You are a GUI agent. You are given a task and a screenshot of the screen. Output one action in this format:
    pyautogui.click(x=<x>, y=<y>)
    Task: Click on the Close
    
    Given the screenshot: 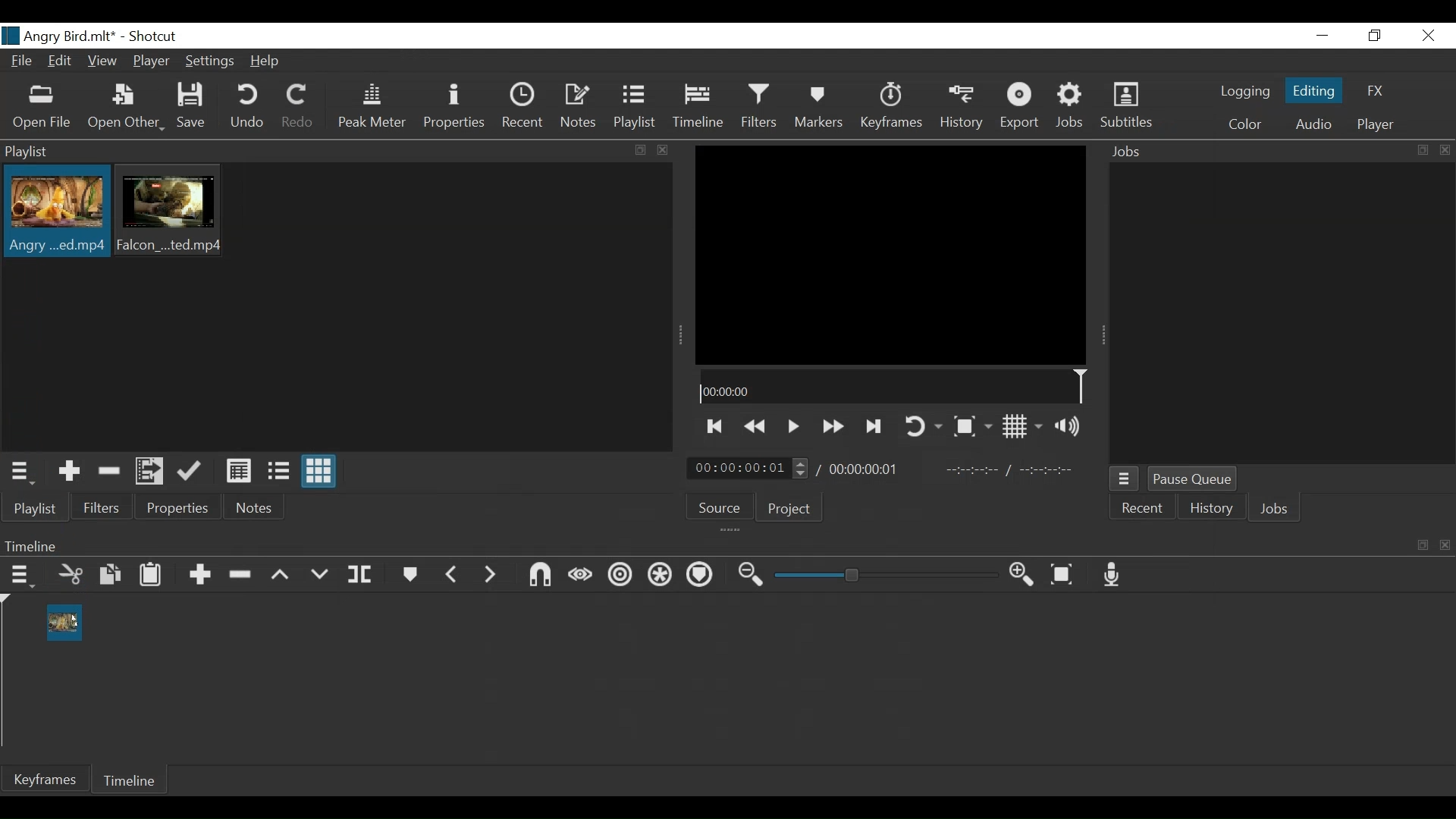 What is the action you would take?
    pyautogui.click(x=1426, y=35)
    